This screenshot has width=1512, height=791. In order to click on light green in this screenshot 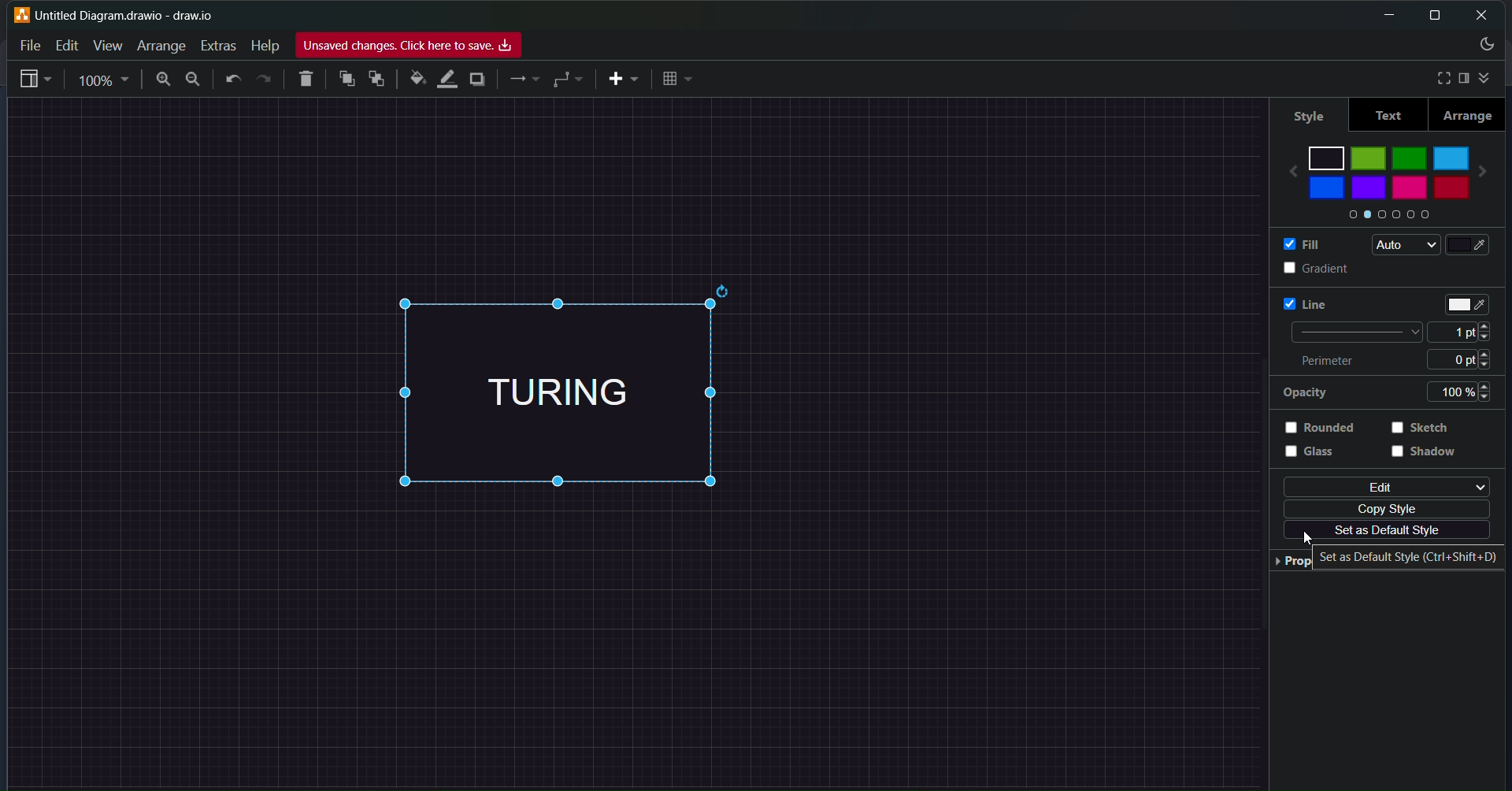, I will do `click(1369, 158)`.